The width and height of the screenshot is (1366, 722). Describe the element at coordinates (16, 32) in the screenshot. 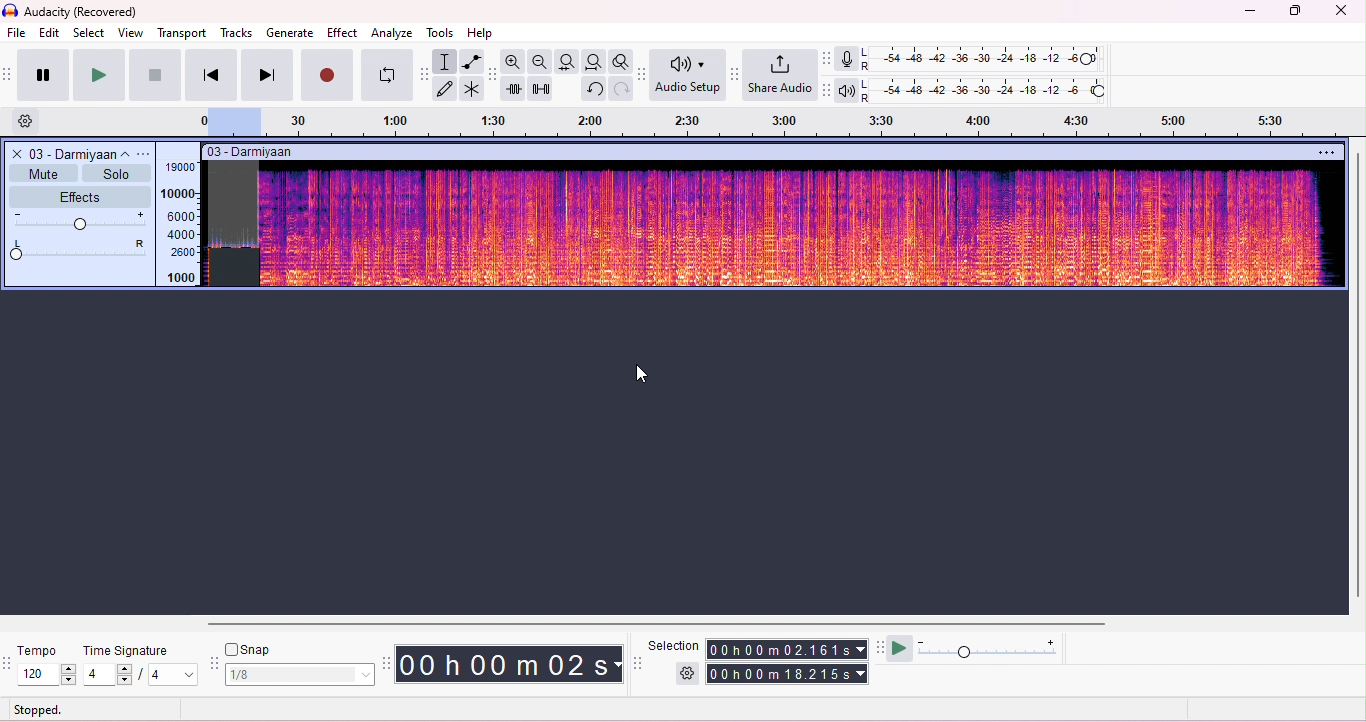

I see `file` at that location.